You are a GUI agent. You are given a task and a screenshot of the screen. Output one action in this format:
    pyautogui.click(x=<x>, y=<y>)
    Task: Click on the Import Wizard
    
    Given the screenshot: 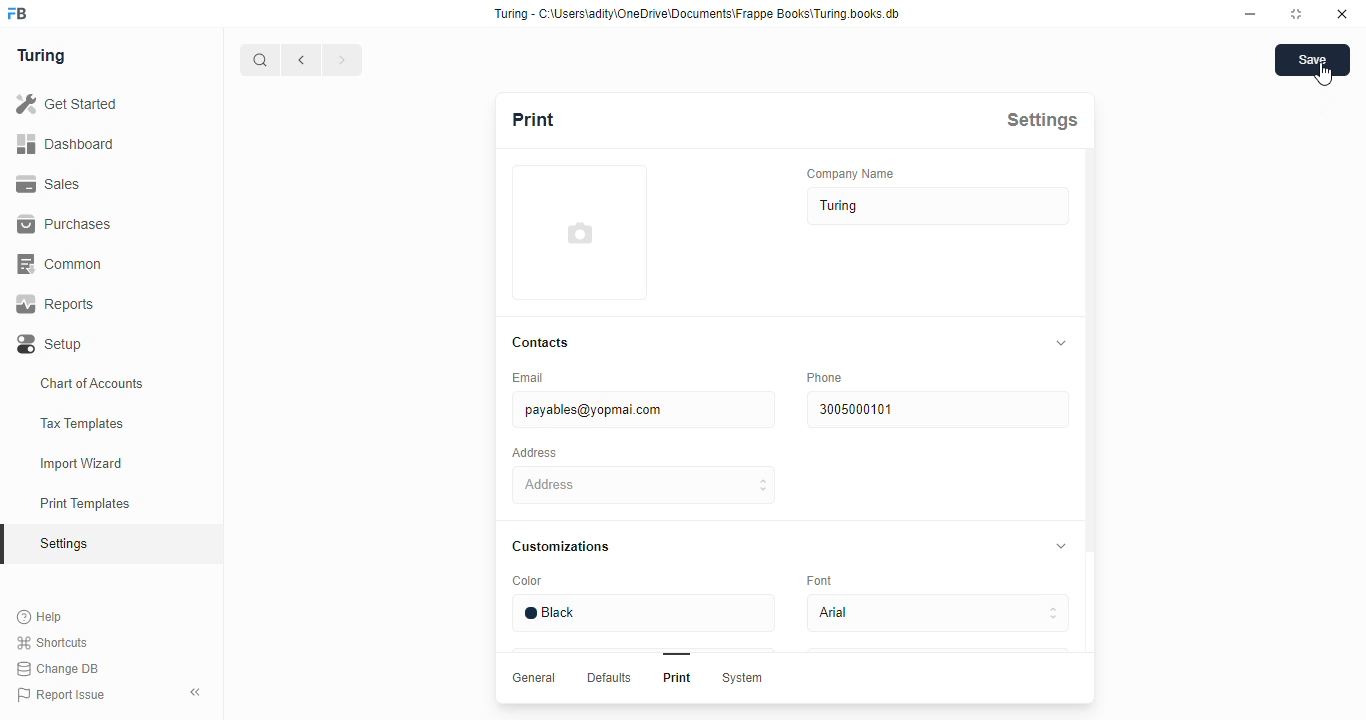 What is the action you would take?
    pyautogui.click(x=92, y=463)
    